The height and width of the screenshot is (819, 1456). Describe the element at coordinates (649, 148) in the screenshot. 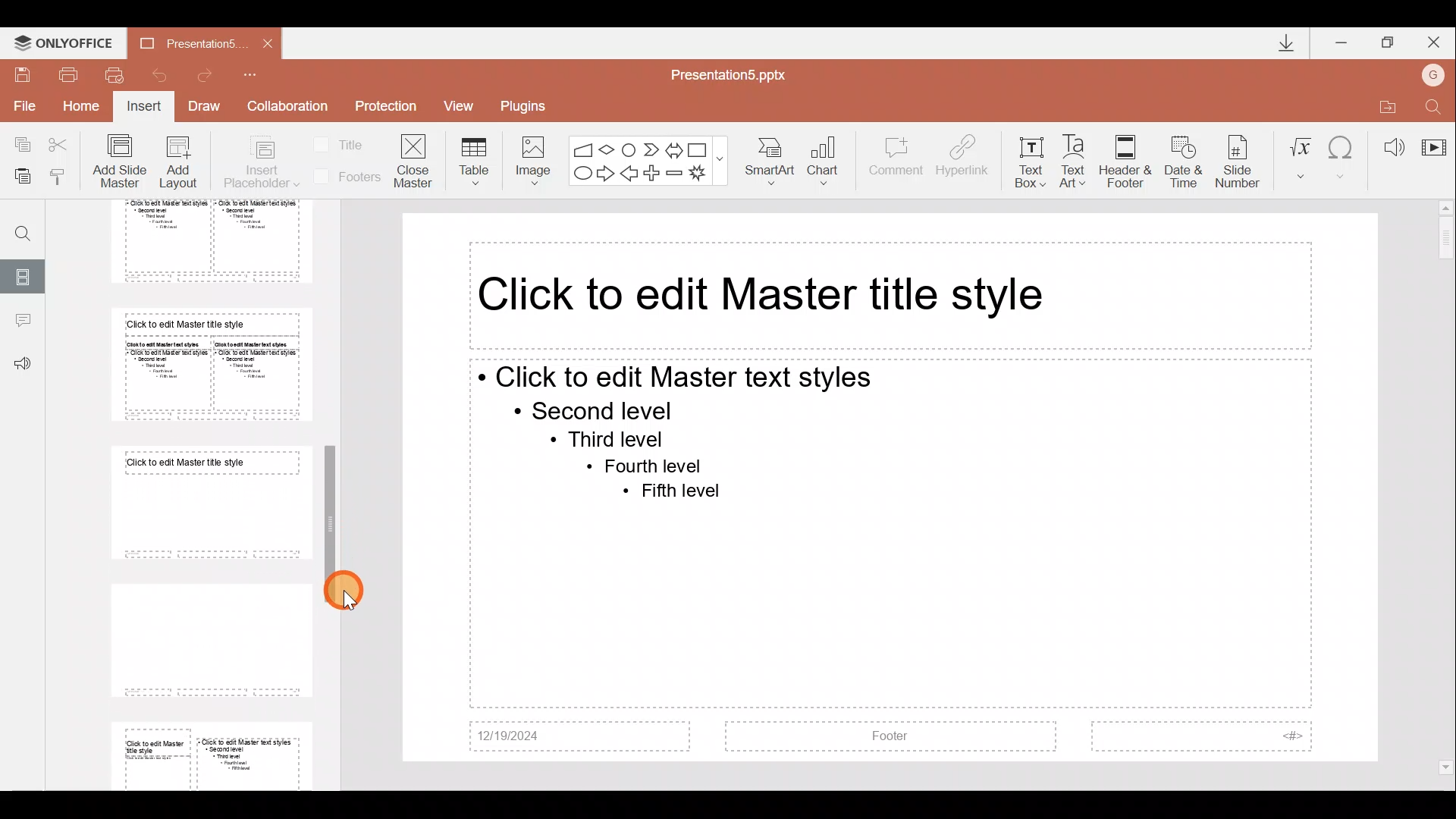

I see `Chevron` at that location.